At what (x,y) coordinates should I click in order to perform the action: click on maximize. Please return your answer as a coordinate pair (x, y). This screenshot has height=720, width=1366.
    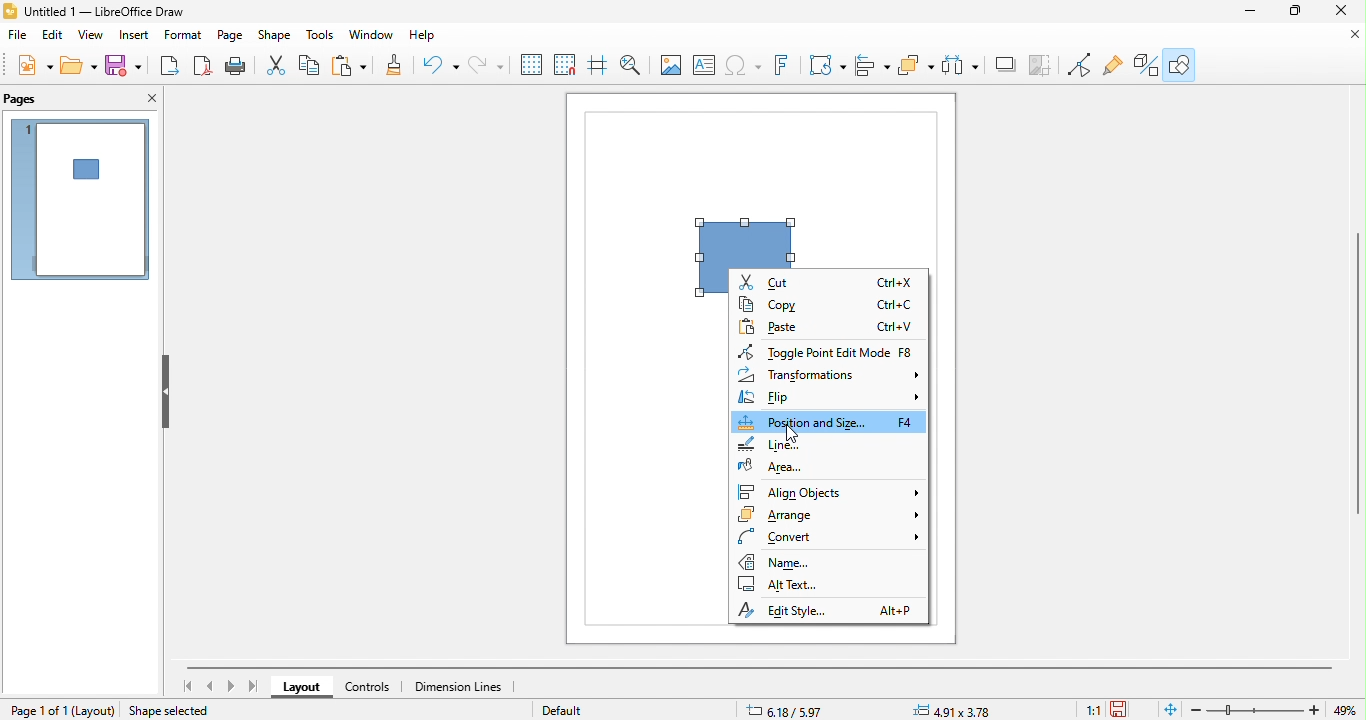
    Looking at the image, I should click on (1297, 11).